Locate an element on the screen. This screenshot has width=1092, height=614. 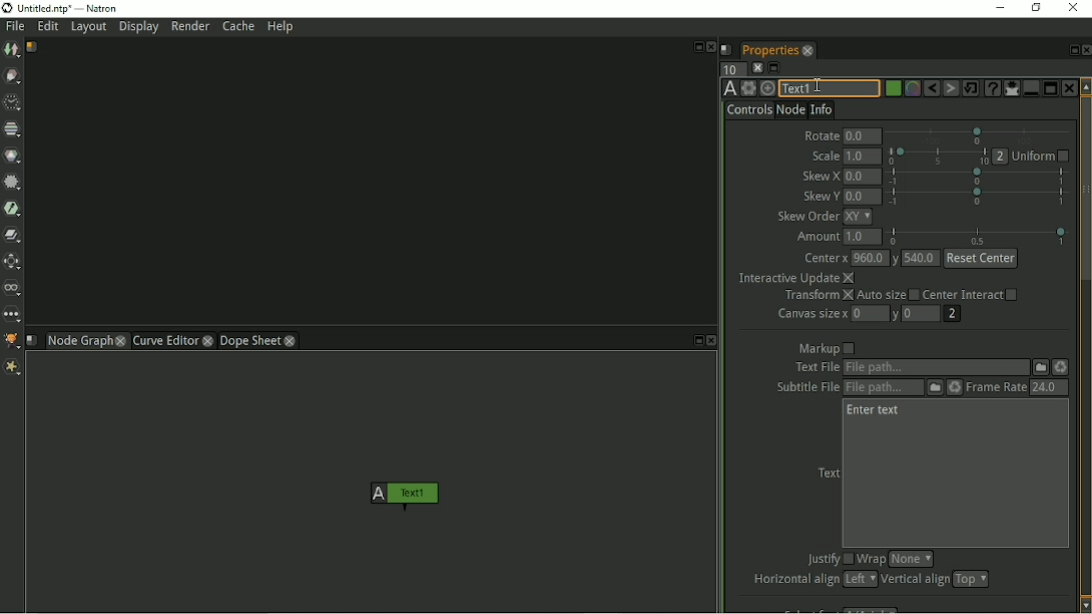
Canvas size is located at coordinates (811, 314).